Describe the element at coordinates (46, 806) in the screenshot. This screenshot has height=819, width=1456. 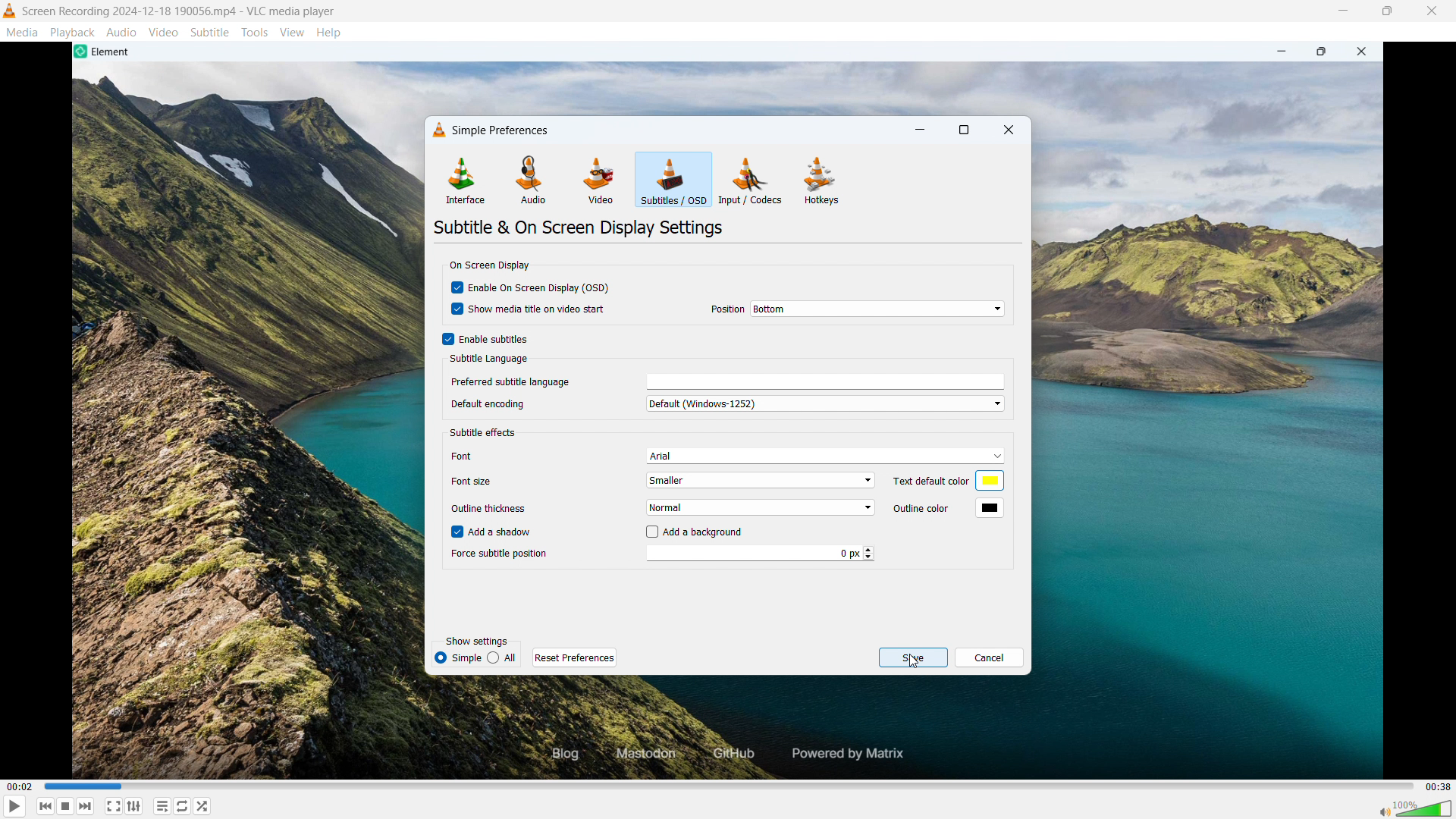
I see `Stop playing ` at that location.